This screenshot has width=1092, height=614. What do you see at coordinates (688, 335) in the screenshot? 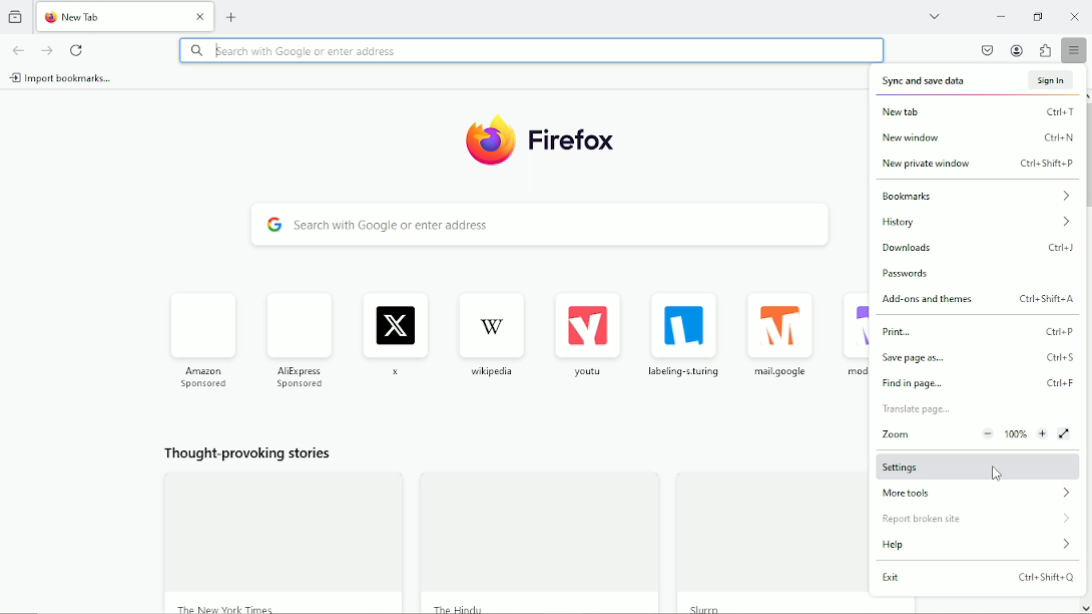
I see `labeling turing` at bounding box center [688, 335].